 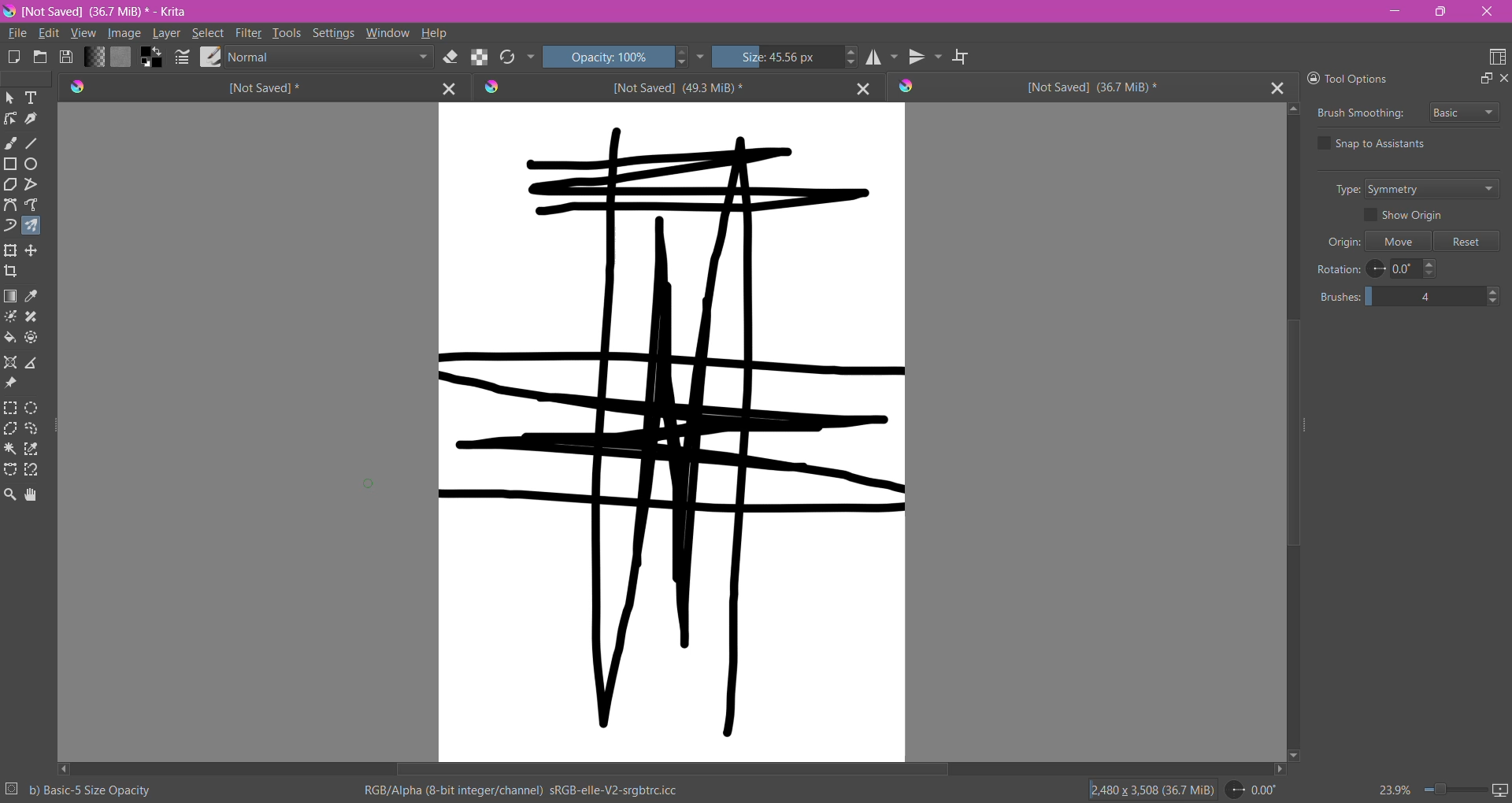 I want to click on Background Color Selector, so click(x=151, y=58).